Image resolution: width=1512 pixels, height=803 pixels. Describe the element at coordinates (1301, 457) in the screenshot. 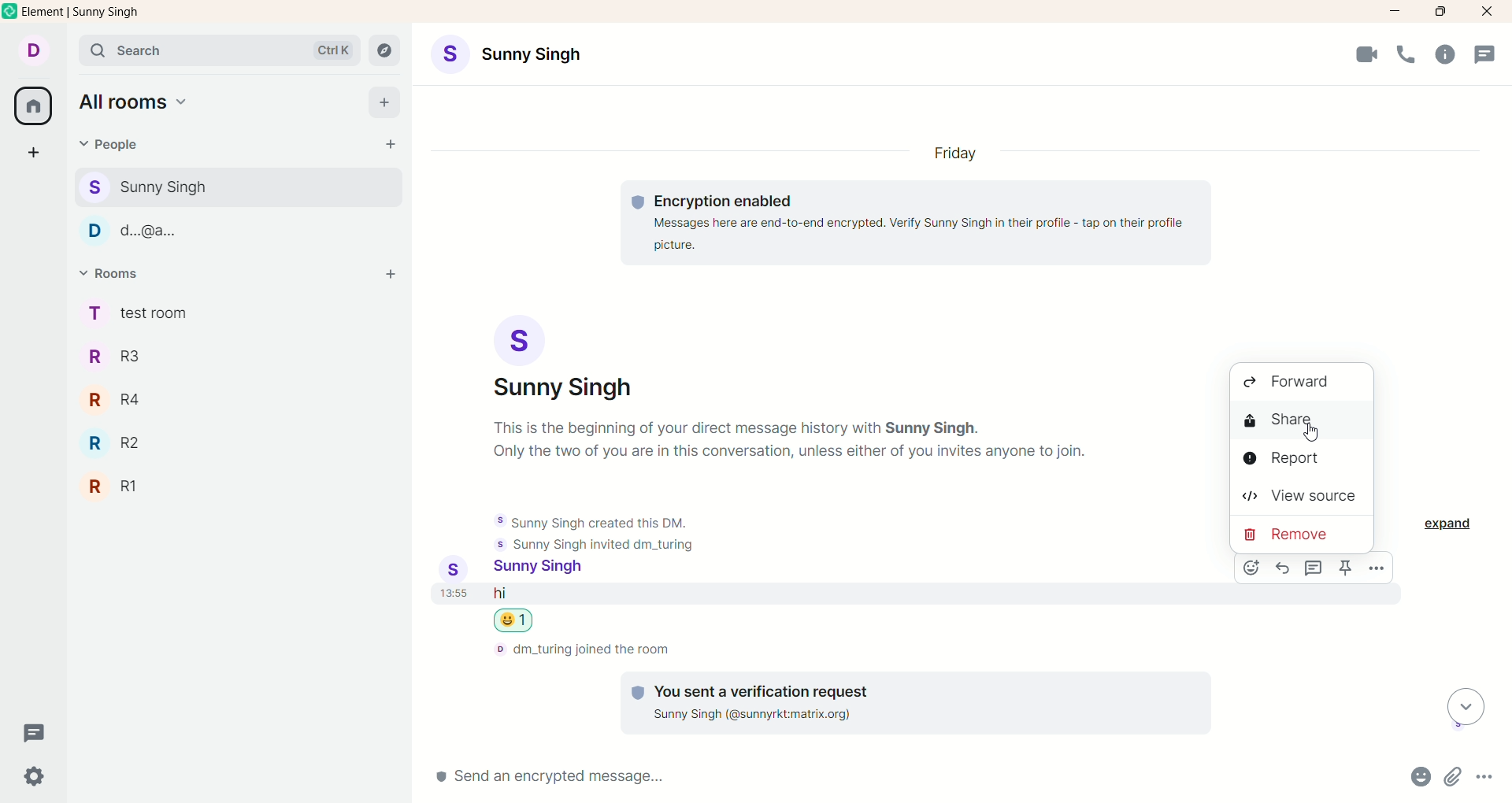

I see `report` at that location.